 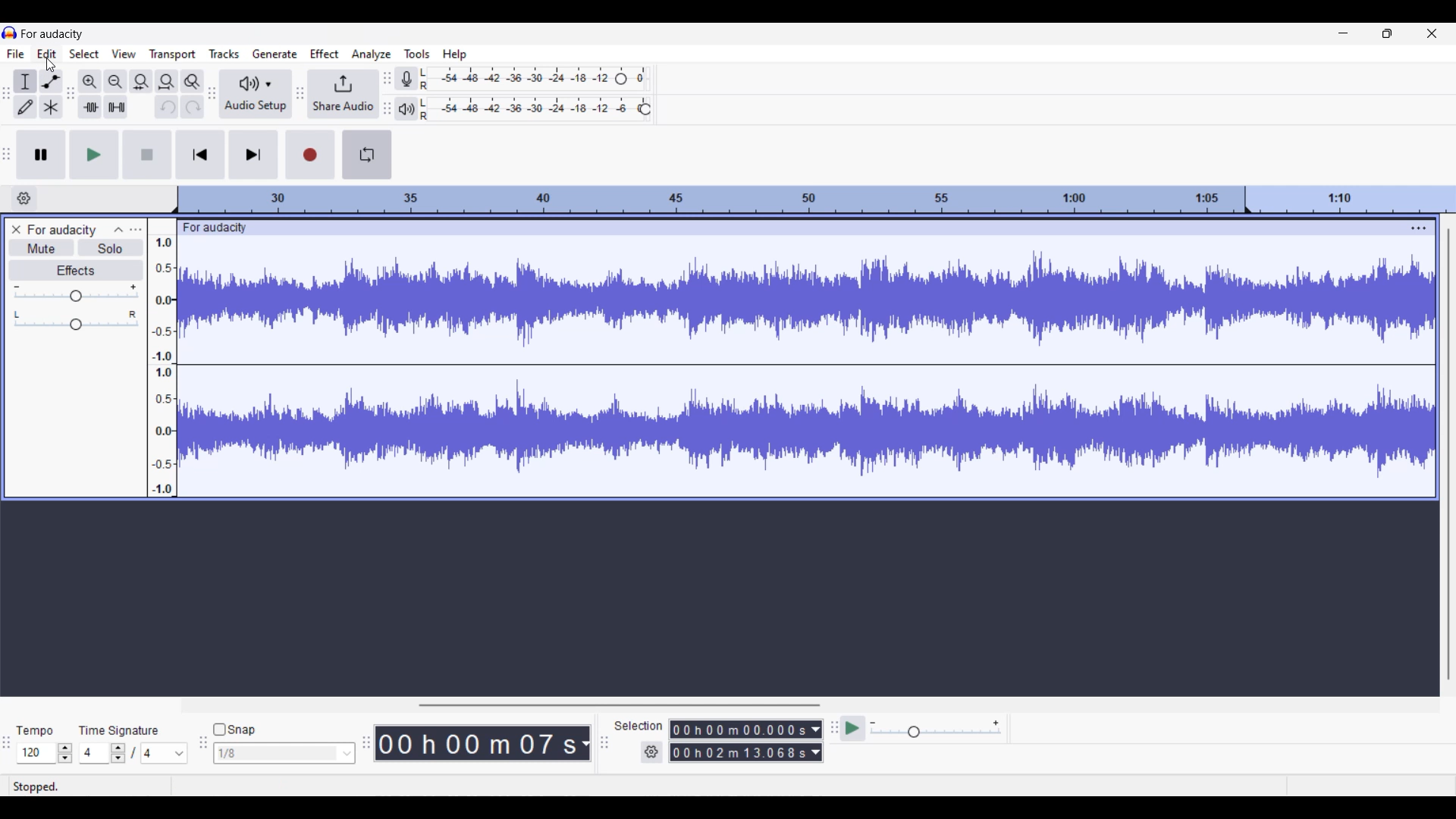 I want to click on Skip/Select to start, so click(x=201, y=155).